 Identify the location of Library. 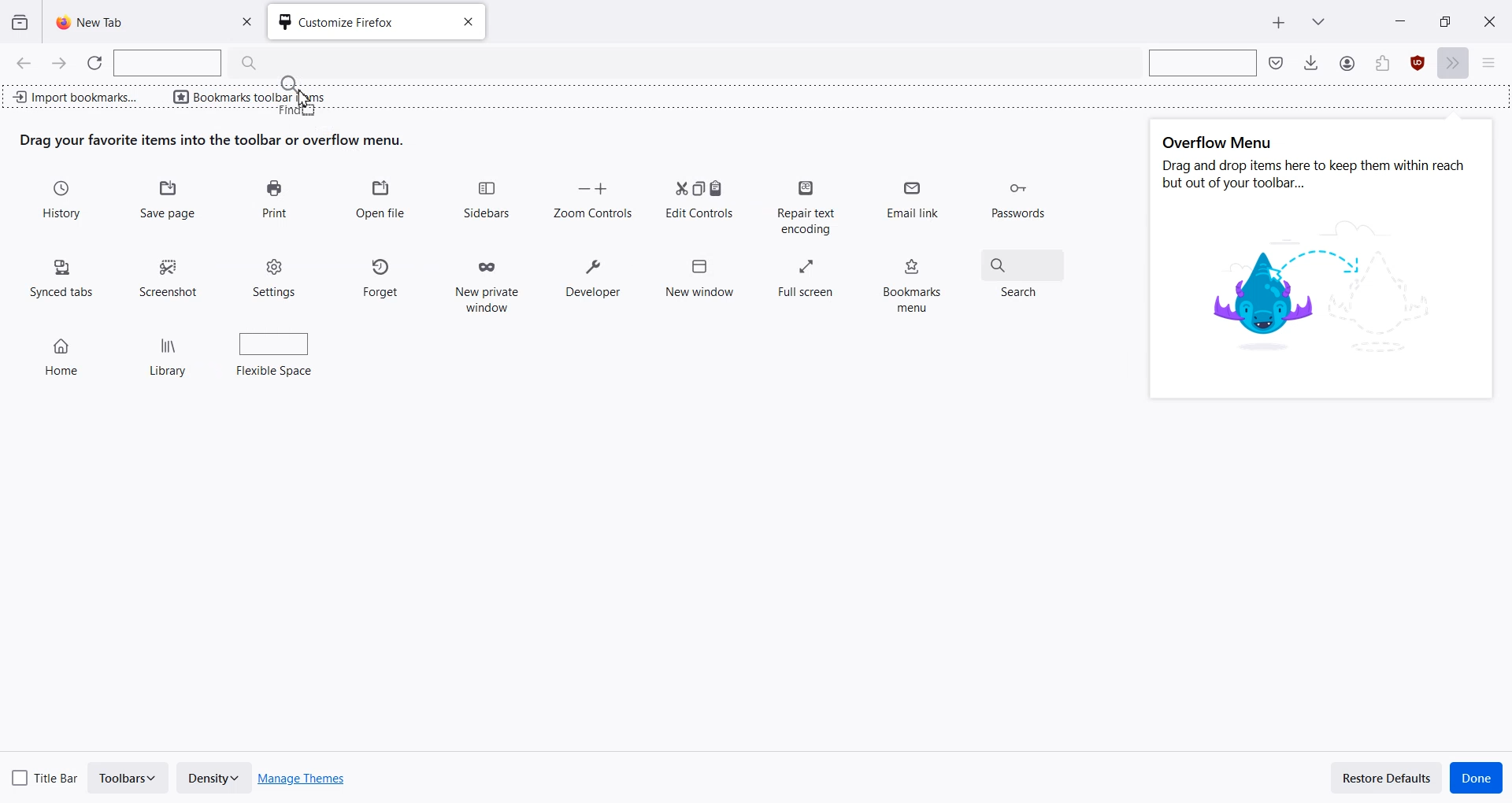
(170, 350).